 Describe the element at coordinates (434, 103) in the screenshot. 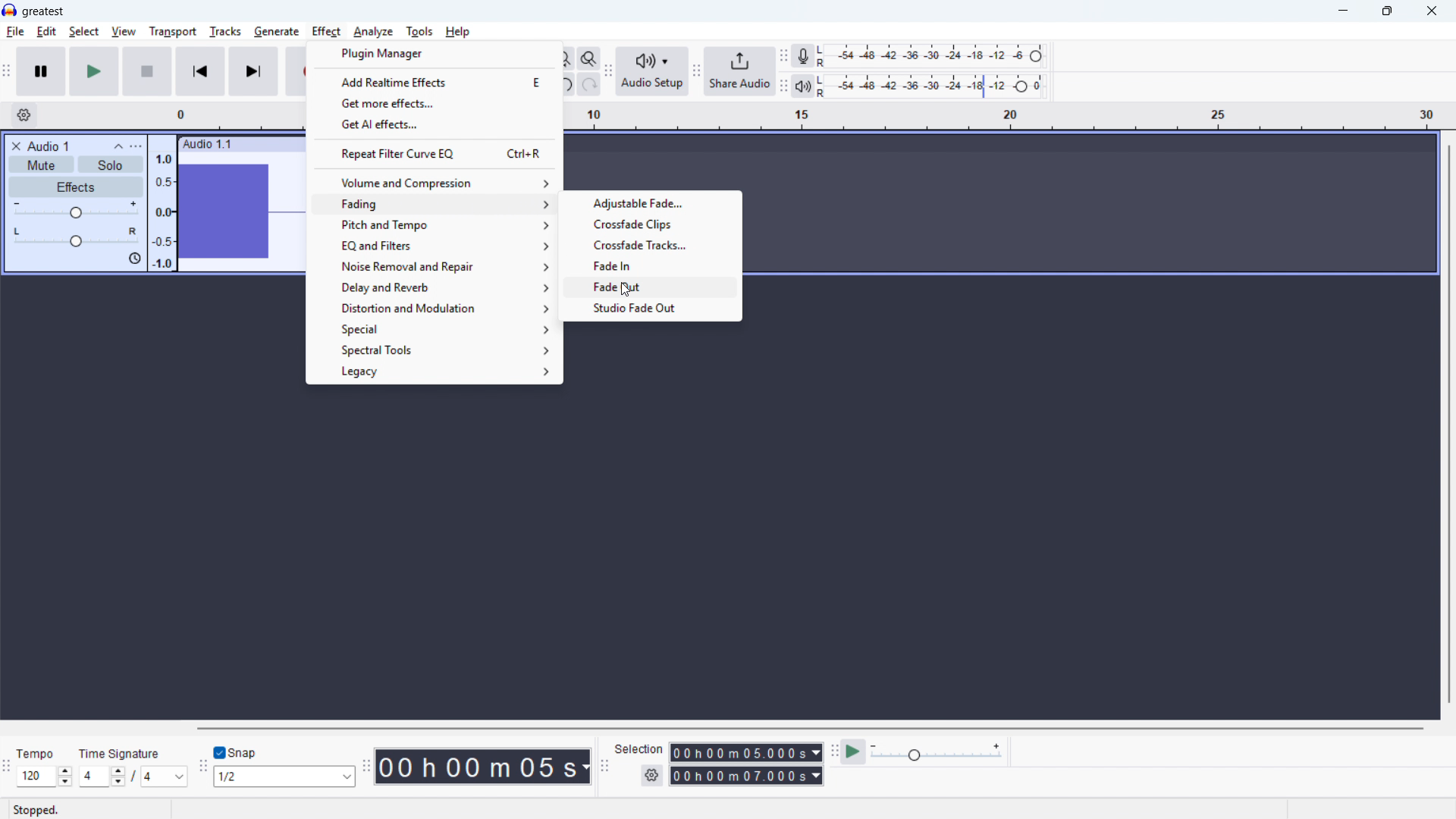

I see `Get more effects ` at that location.